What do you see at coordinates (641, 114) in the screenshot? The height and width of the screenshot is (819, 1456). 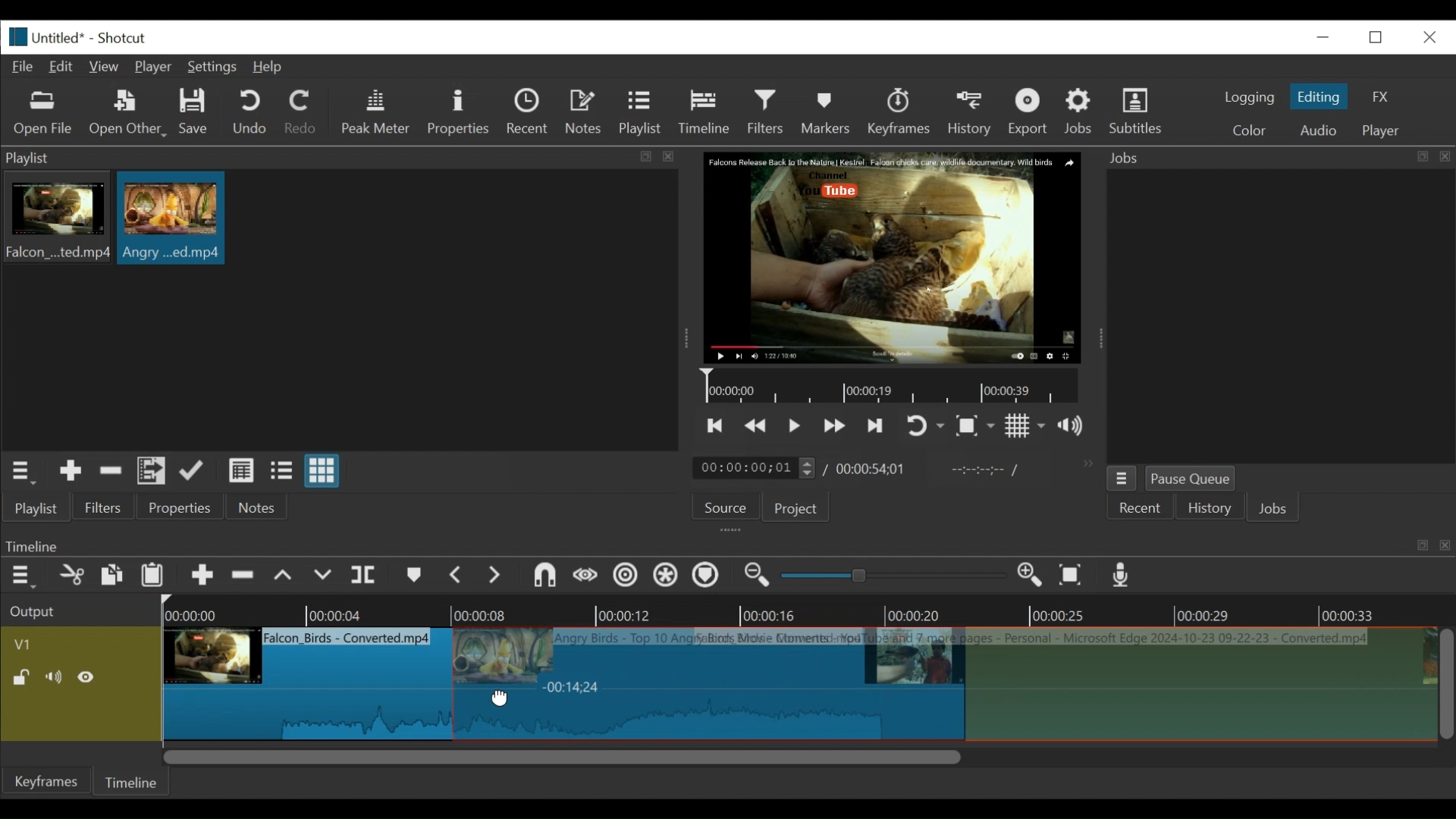 I see `Playlist` at bounding box center [641, 114].